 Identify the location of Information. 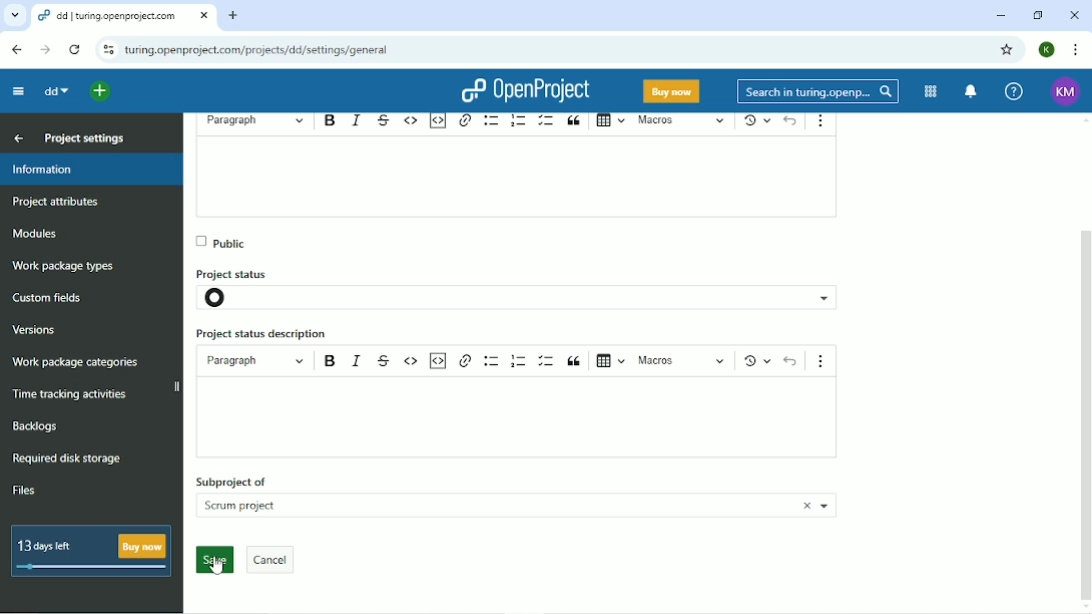
(91, 171).